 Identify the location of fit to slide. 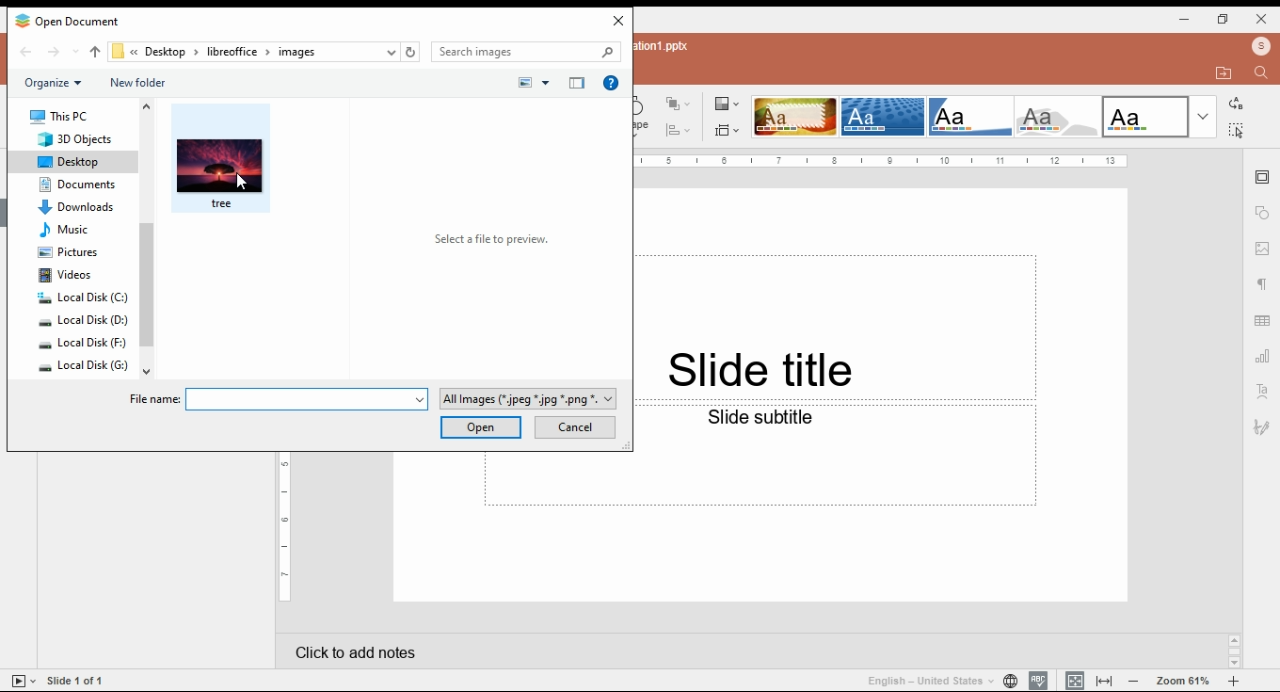
(1074, 680).